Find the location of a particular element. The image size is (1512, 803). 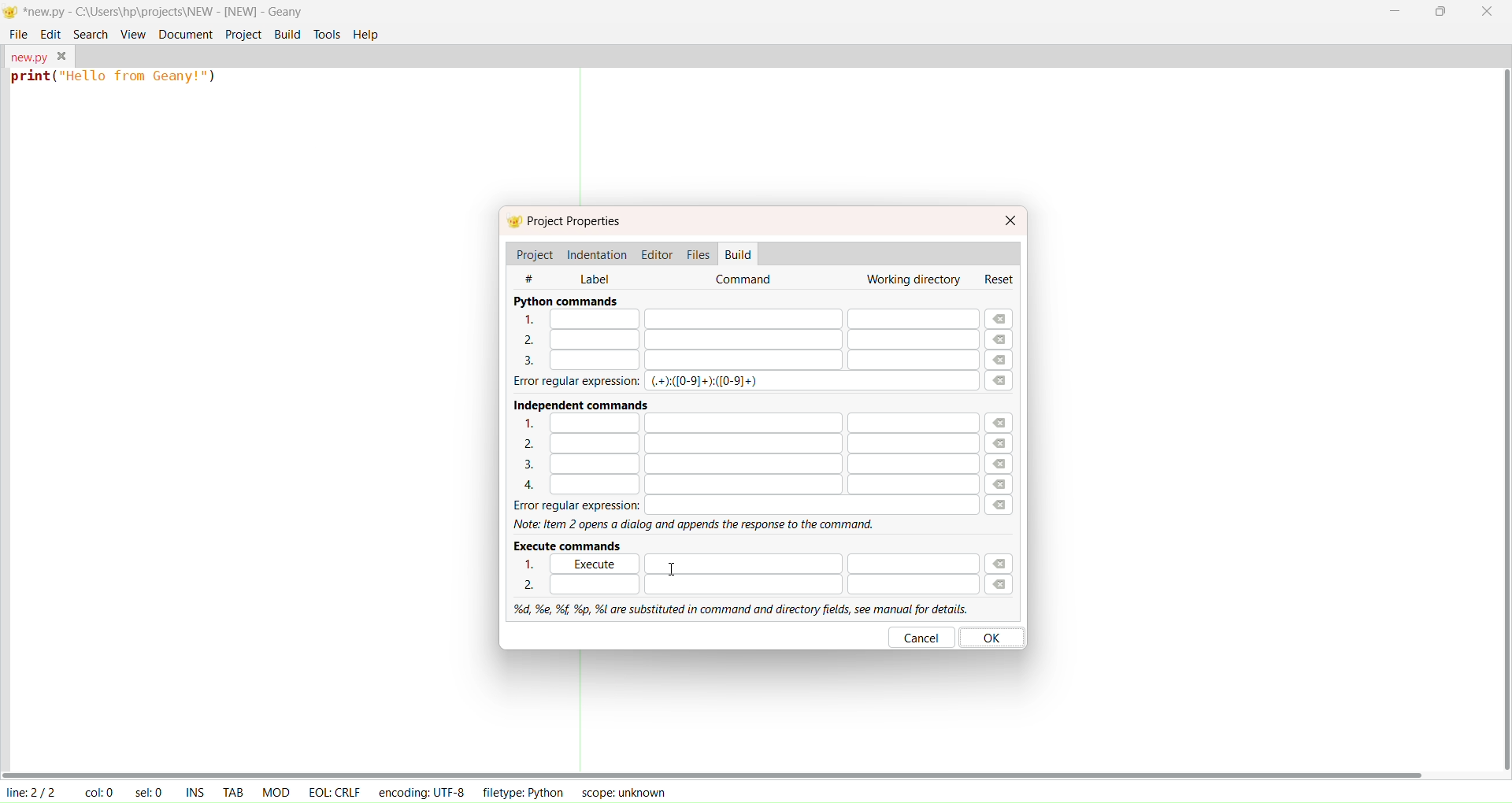

EOL CRLF is located at coordinates (335, 790).